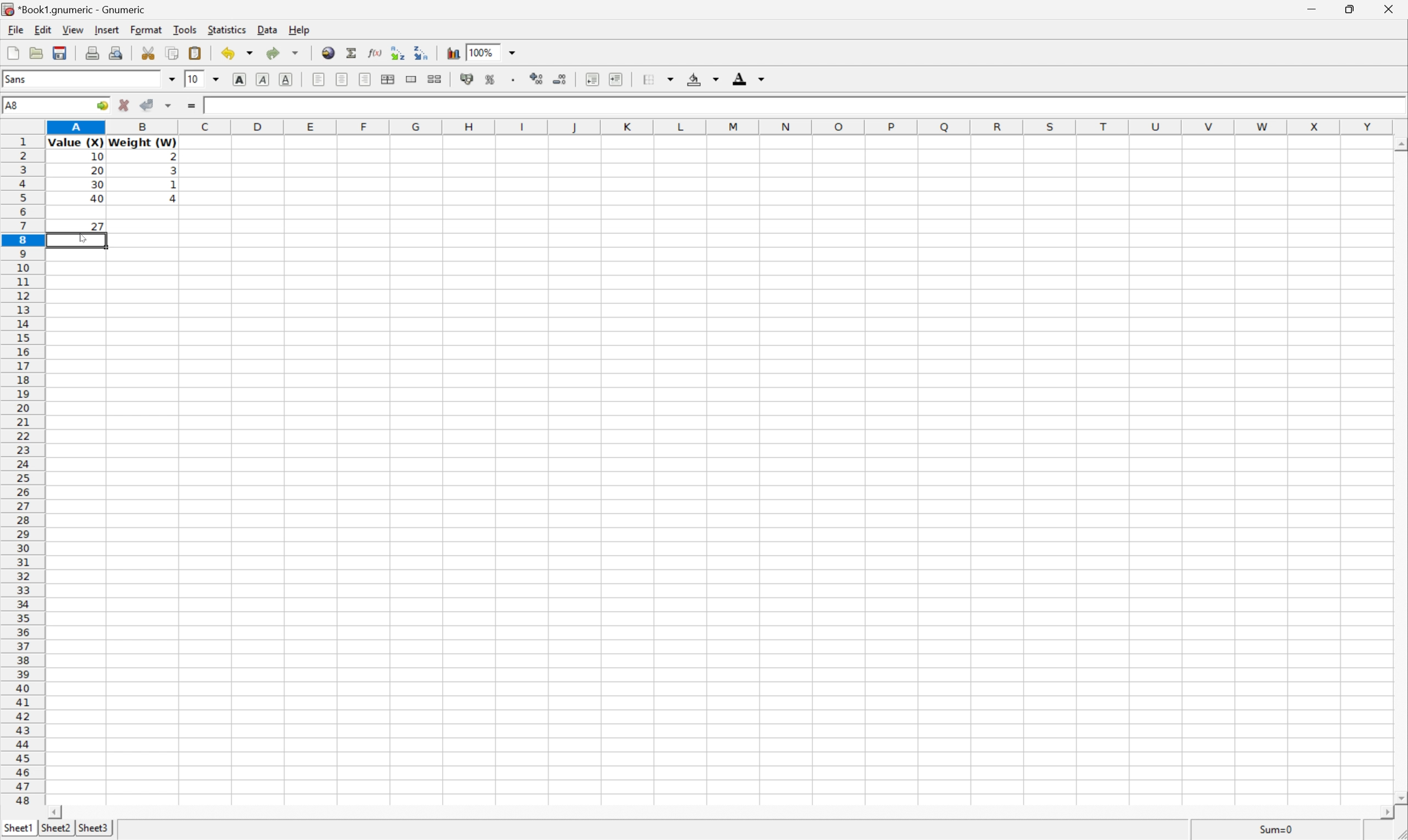  What do you see at coordinates (412, 80) in the screenshot?
I see `Merge a range of cells` at bounding box center [412, 80].